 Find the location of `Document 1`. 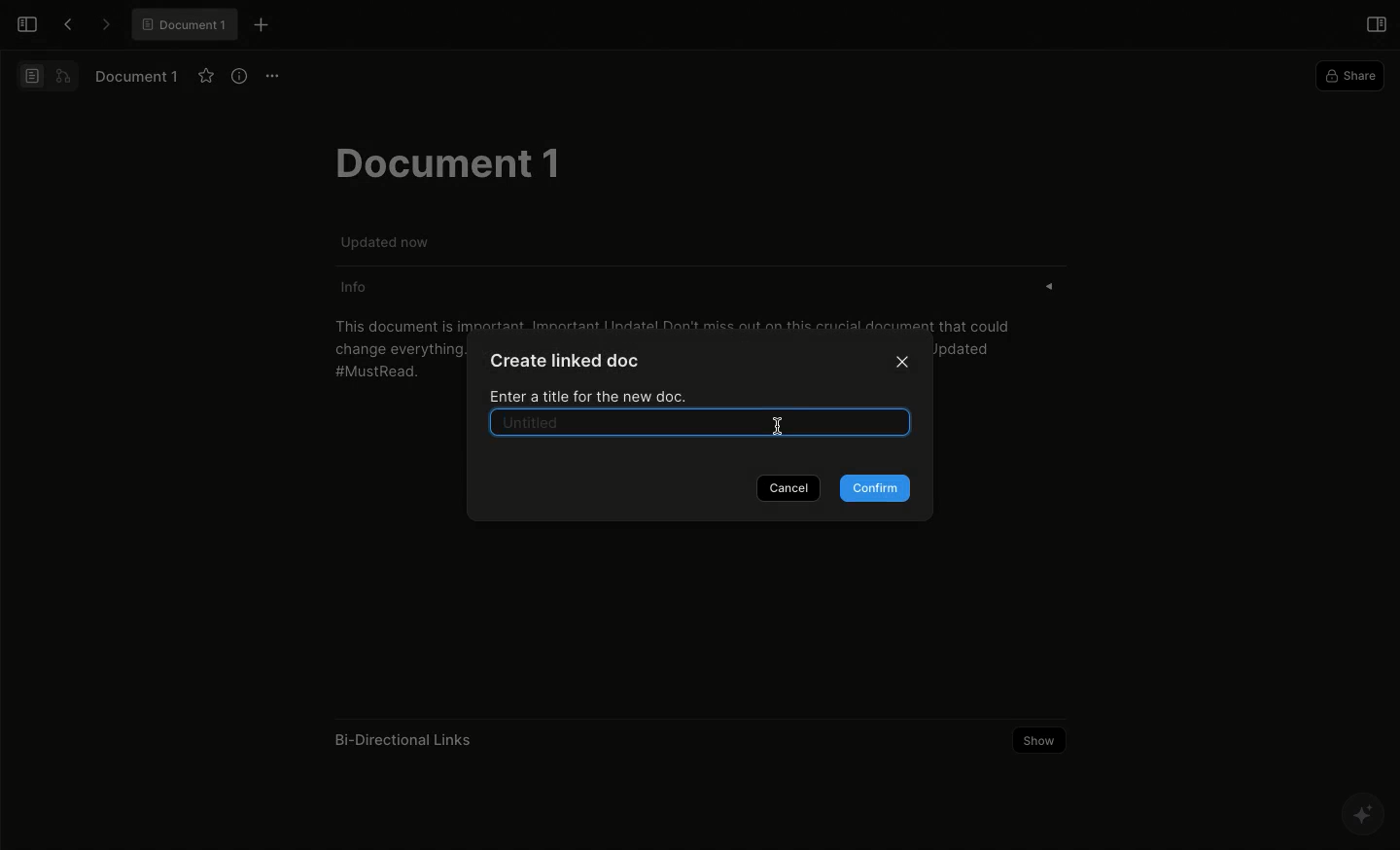

Document 1 is located at coordinates (139, 76).